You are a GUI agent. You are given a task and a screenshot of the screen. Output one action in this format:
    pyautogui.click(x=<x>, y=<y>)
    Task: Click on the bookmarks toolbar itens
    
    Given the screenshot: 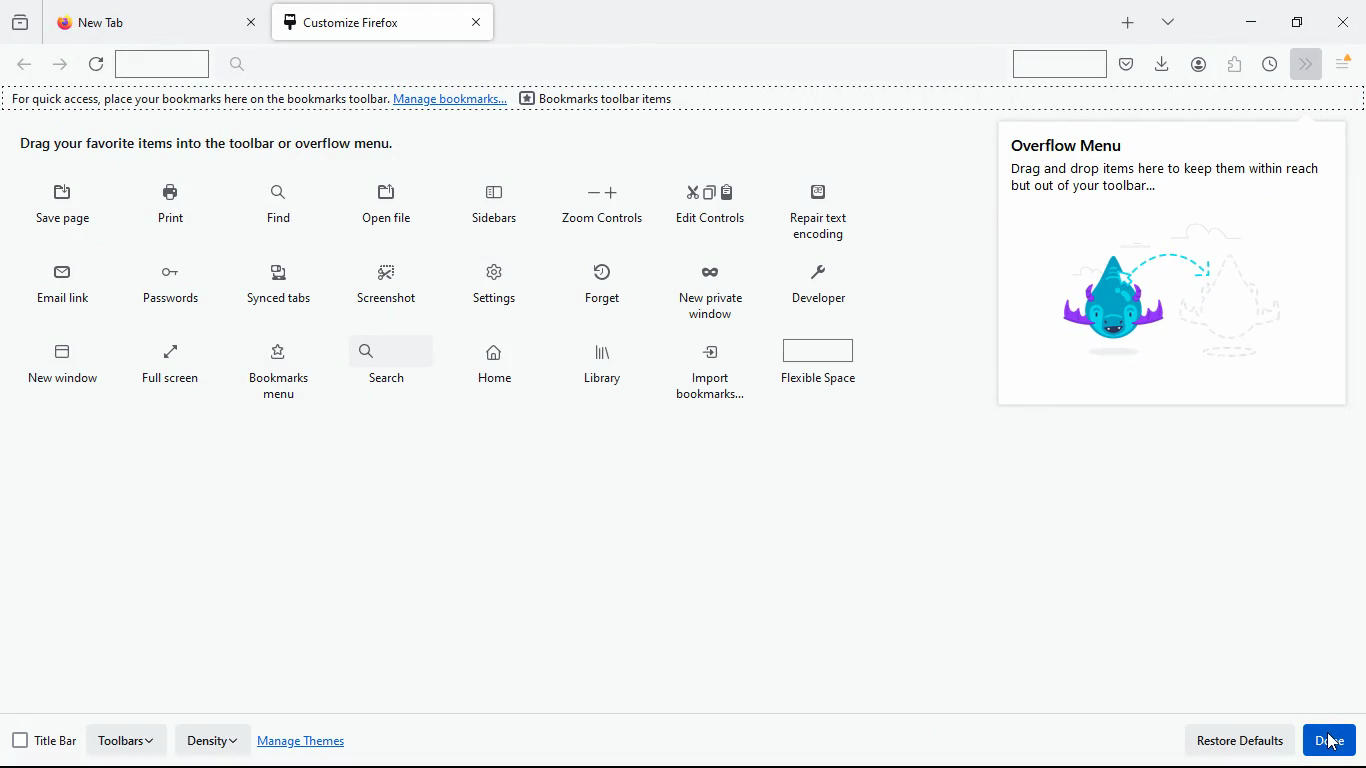 What is the action you would take?
    pyautogui.click(x=602, y=100)
    